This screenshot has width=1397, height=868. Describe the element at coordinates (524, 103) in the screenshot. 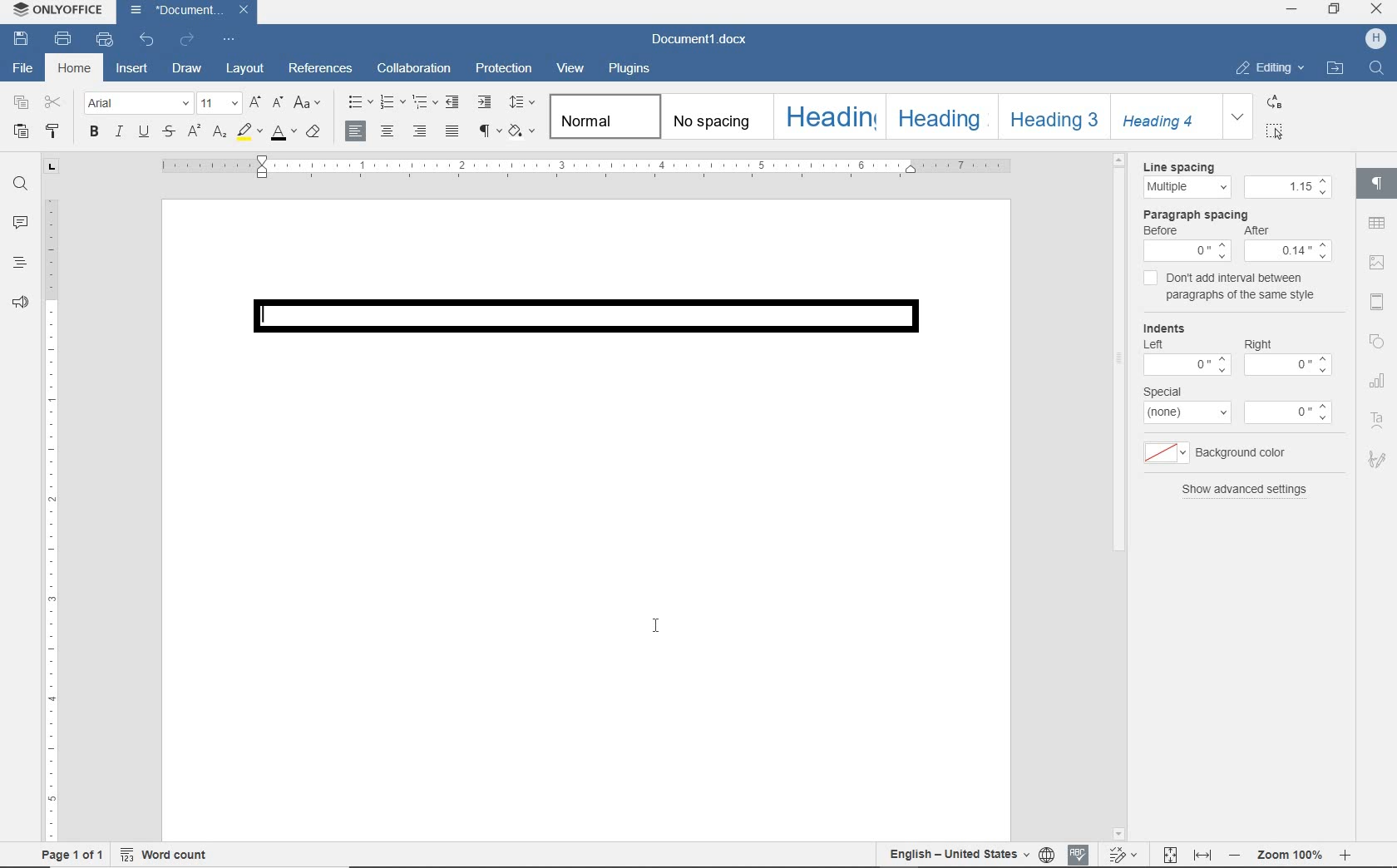

I see `paragraph line spacing` at that location.